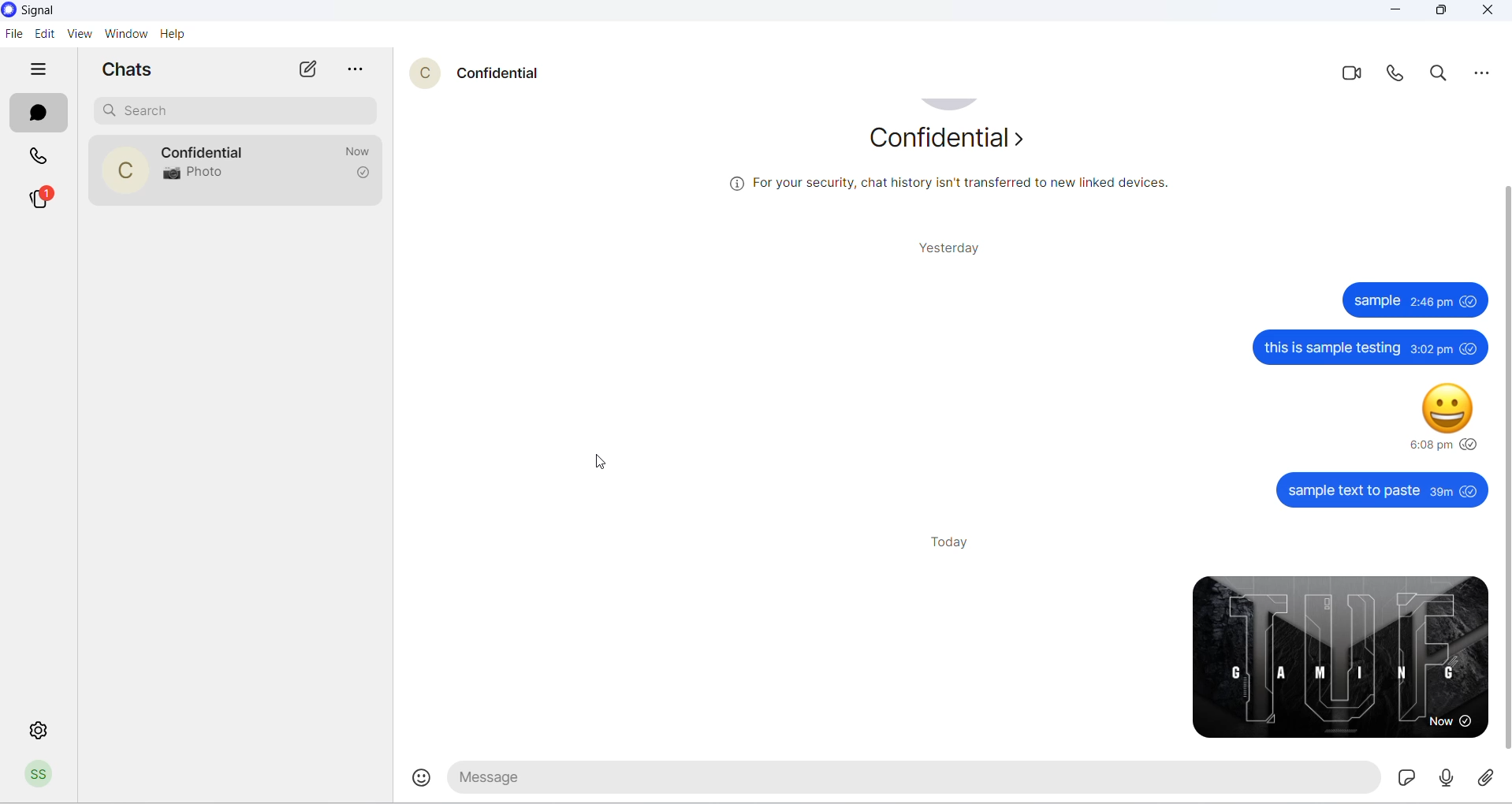 The width and height of the screenshot is (1512, 804). What do you see at coordinates (362, 175) in the screenshot?
I see `read recipient` at bounding box center [362, 175].